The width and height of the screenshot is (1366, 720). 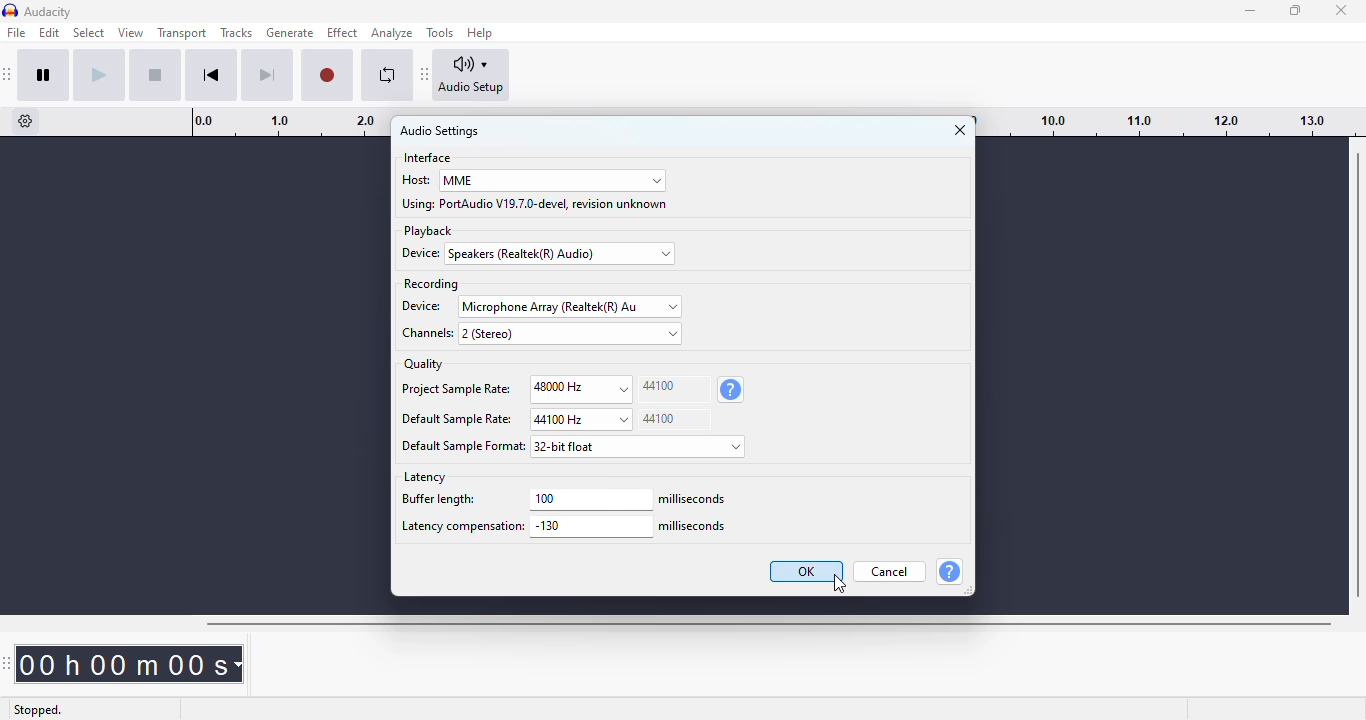 What do you see at coordinates (459, 501) in the screenshot?
I see `buffer length` at bounding box center [459, 501].